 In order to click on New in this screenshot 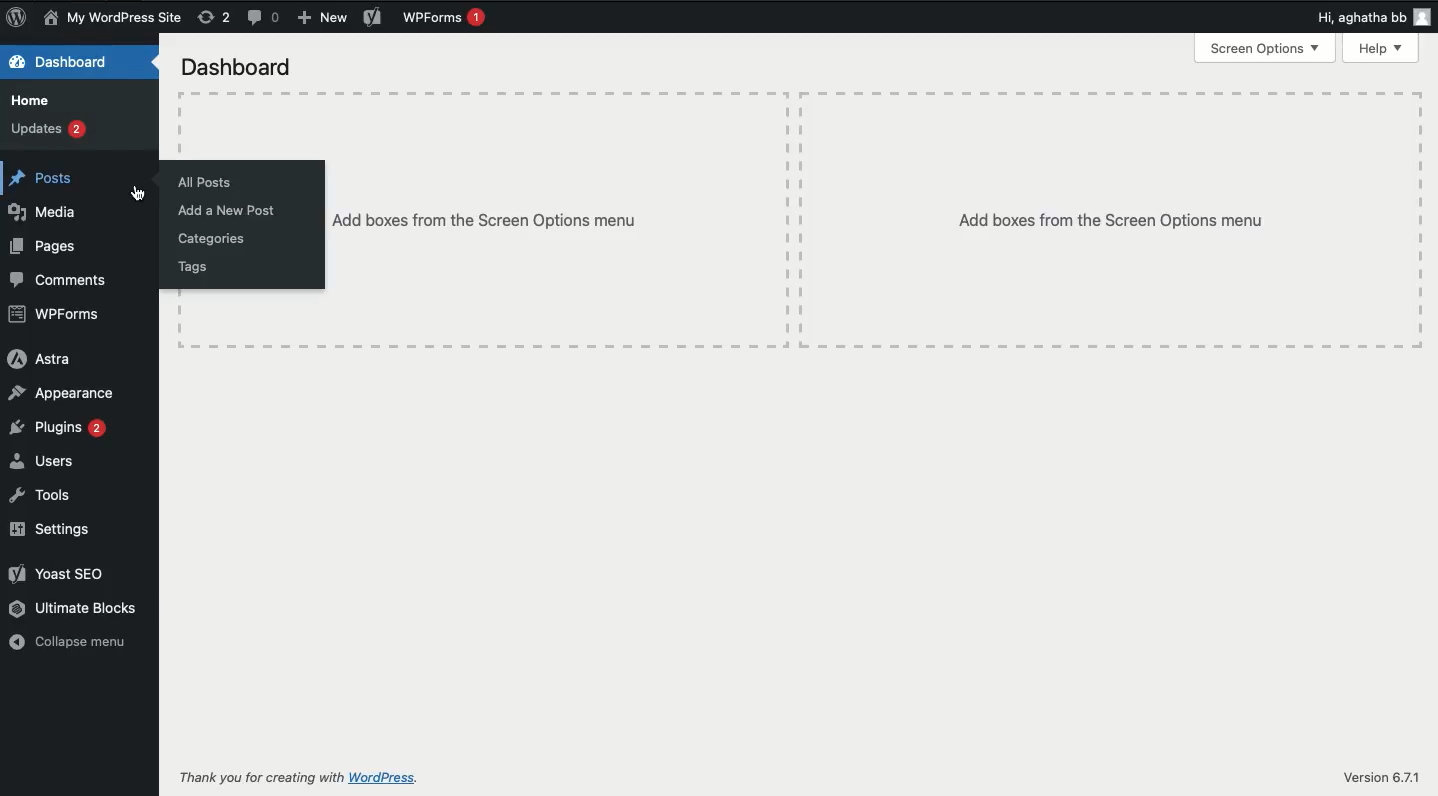, I will do `click(325, 17)`.